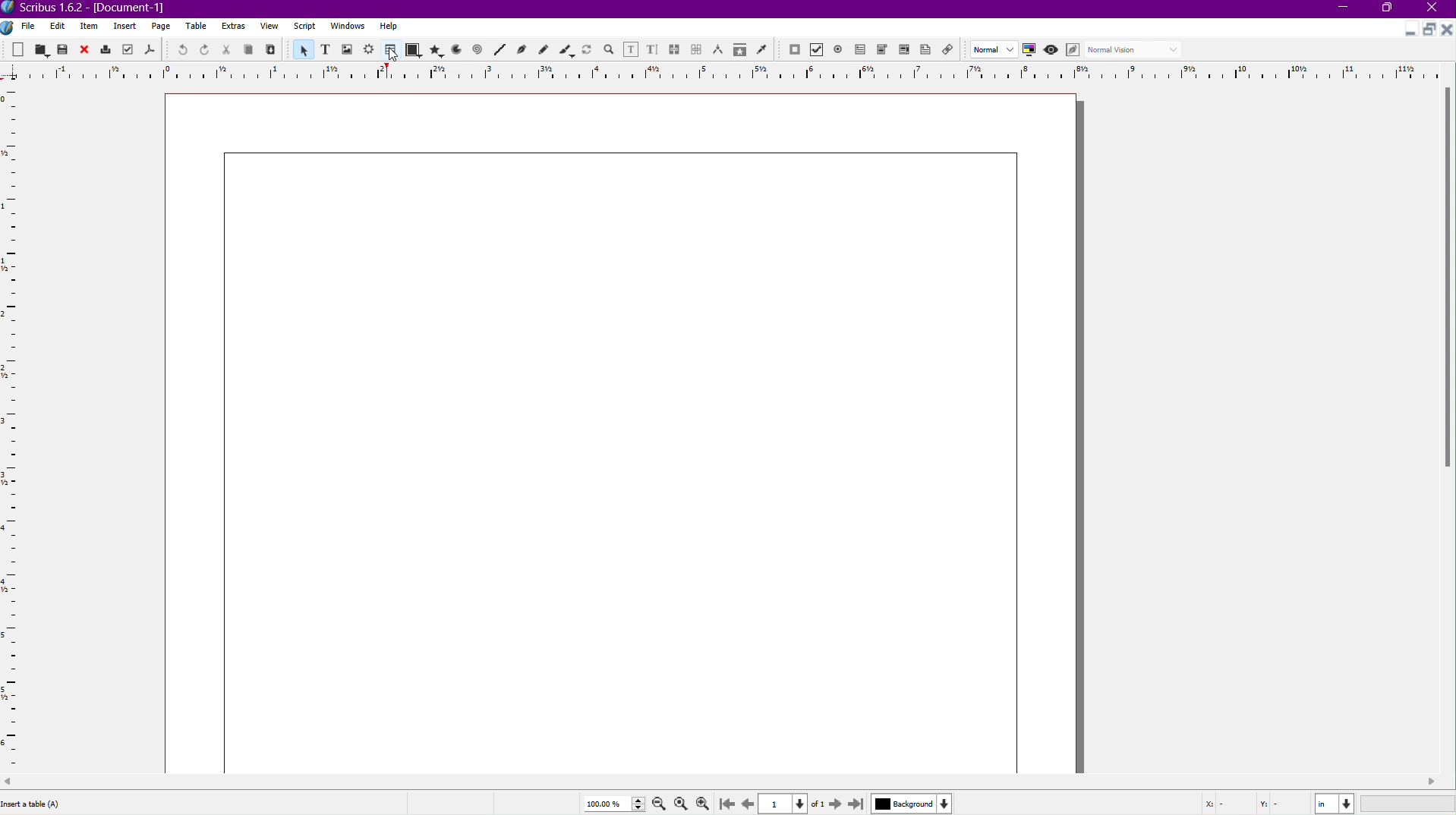 The height and width of the screenshot is (815, 1456). I want to click on Zoom Out, so click(656, 804).